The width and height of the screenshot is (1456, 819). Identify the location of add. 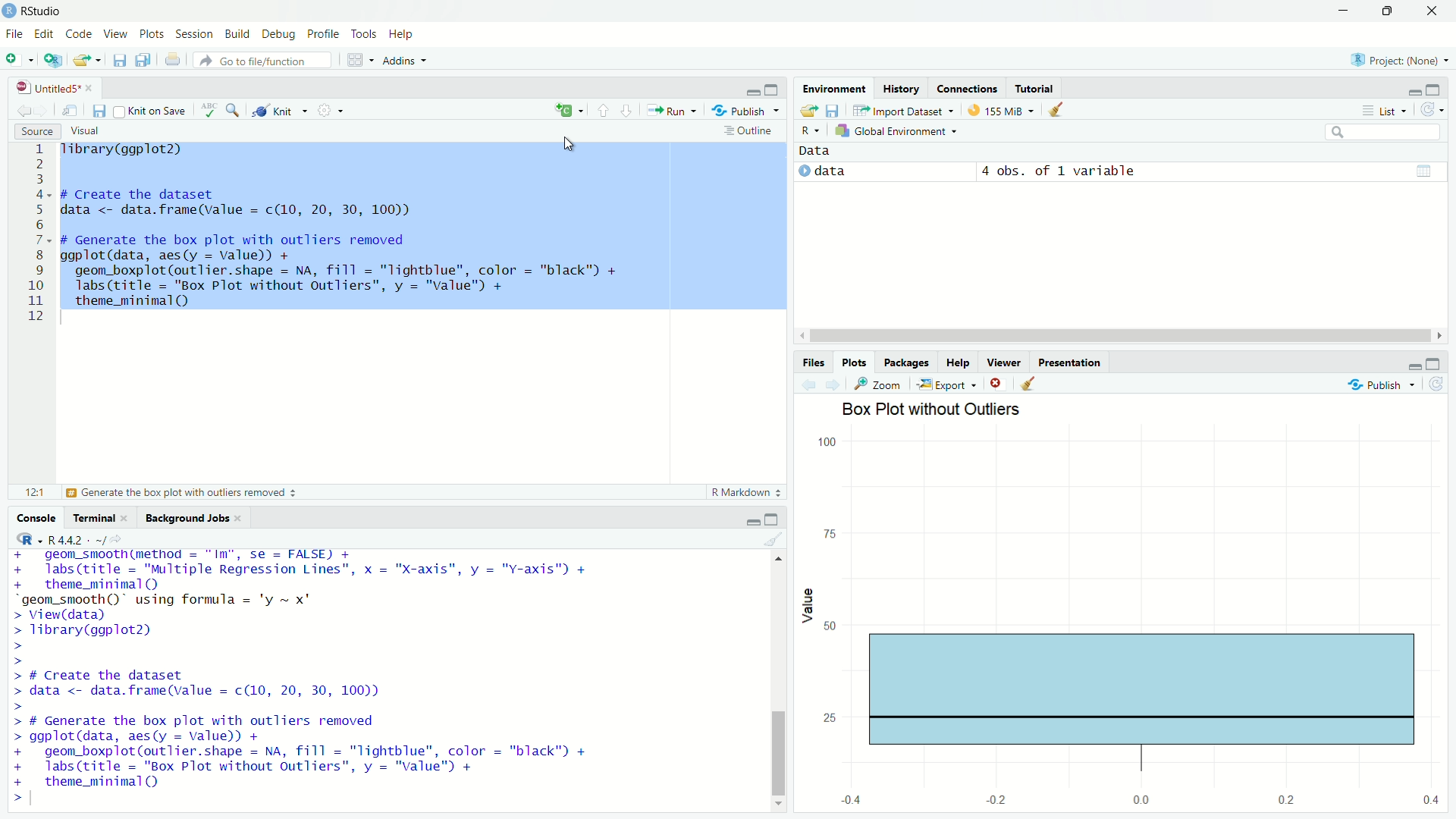
(53, 63).